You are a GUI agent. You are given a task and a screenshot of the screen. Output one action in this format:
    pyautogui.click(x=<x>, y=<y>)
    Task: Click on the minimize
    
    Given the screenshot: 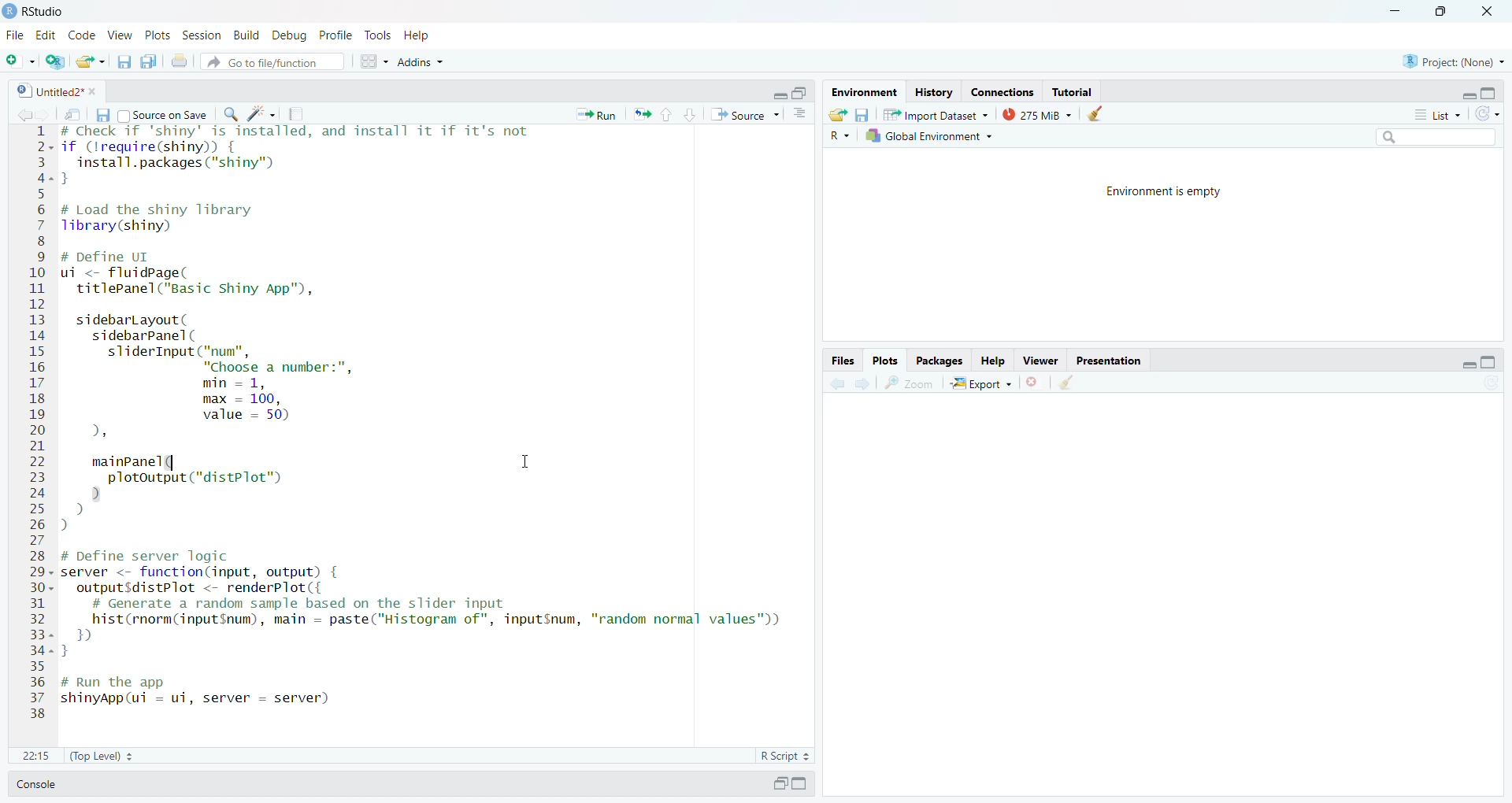 What is the action you would take?
    pyautogui.click(x=779, y=95)
    